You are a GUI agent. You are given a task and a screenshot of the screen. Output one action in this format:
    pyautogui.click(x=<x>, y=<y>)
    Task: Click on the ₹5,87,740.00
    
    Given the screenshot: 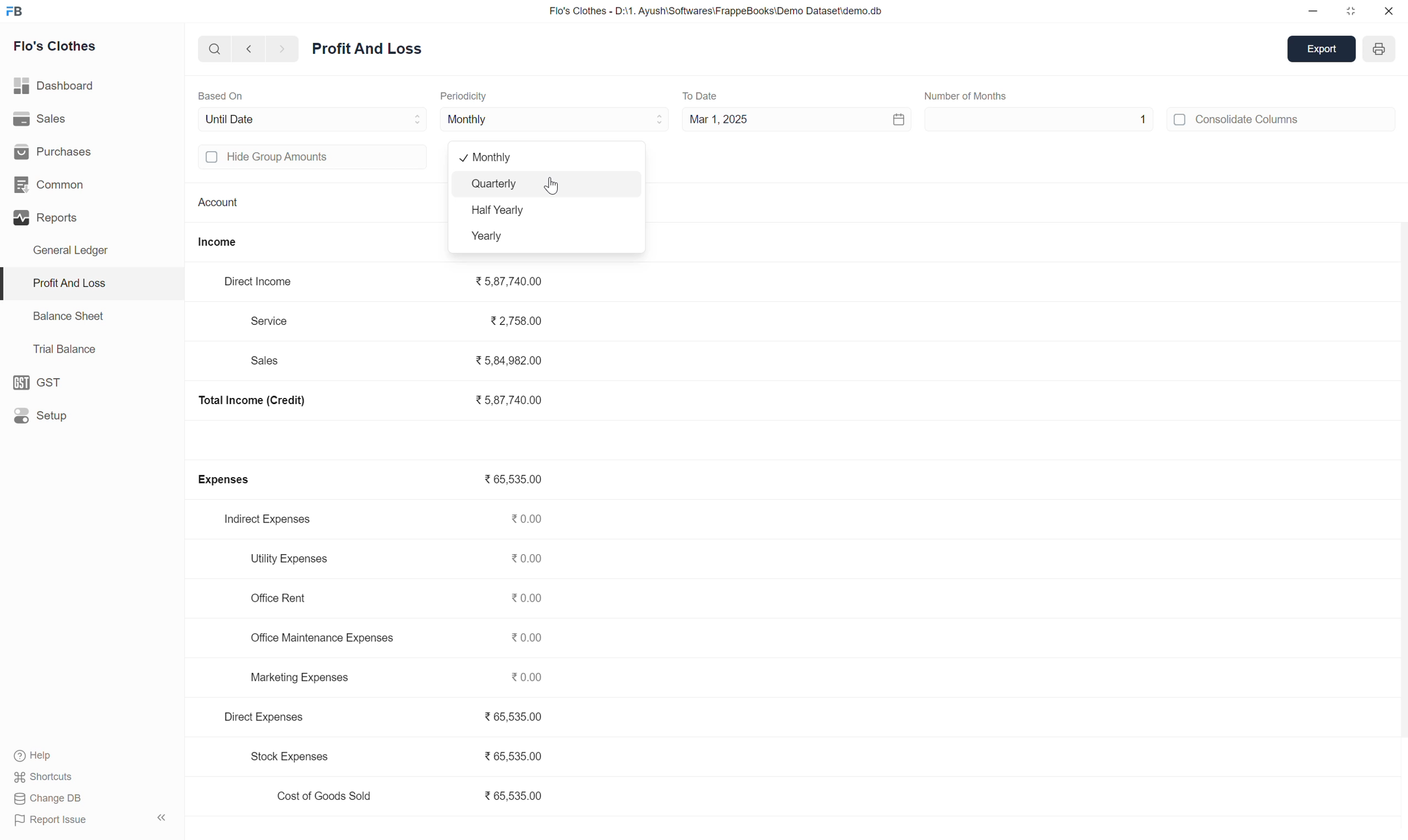 What is the action you would take?
    pyautogui.click(x=517, y=281)
    